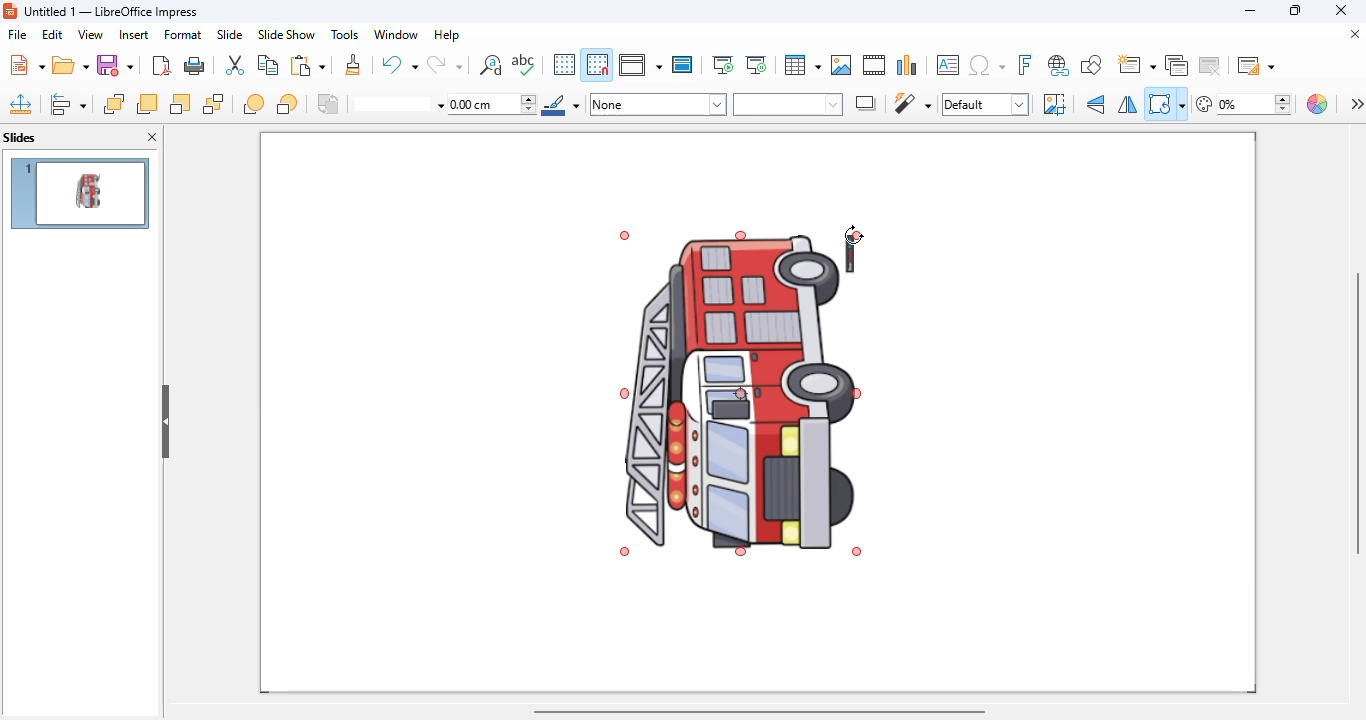 The width and height of the screenshot is (1366, 720). Describe the element at coordinates (760, 712) in the screenshot. I see `horizontal scroll bar` at that location.